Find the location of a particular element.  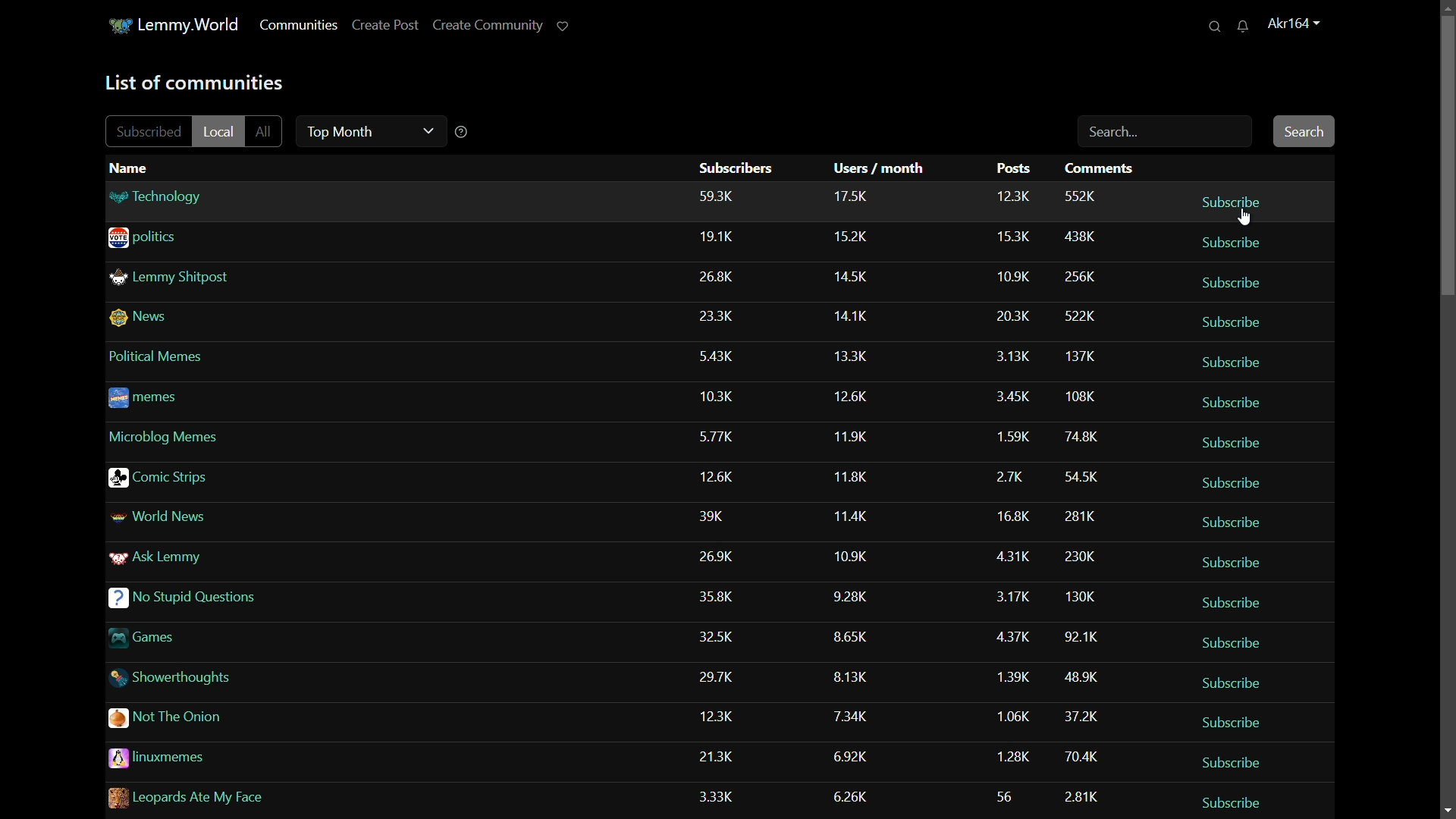

 is located at coordinates (858, 355).